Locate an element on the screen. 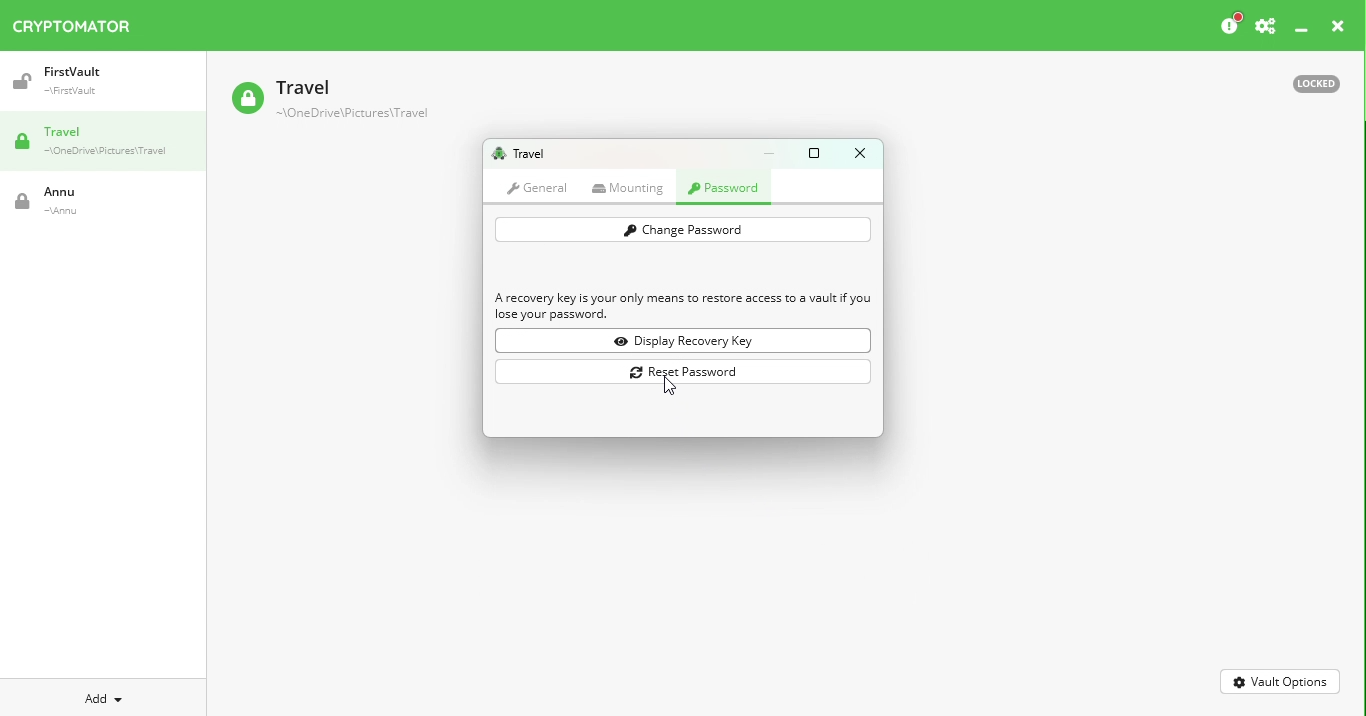 This screenshot has height=716, width=1366. Preferences is located at coordinates (1265, 27).